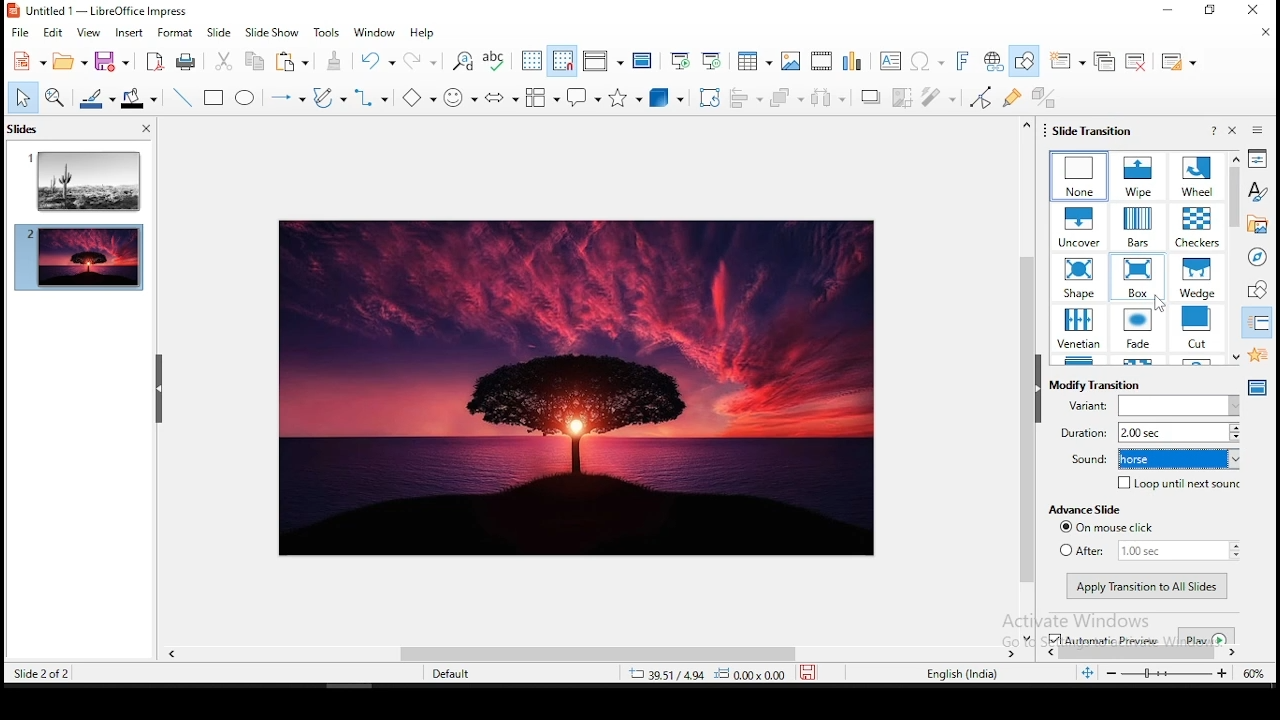 Image resolution: width=1280 pixels, height=720 pixels. I want to click on find and replace, so click(465, 63).